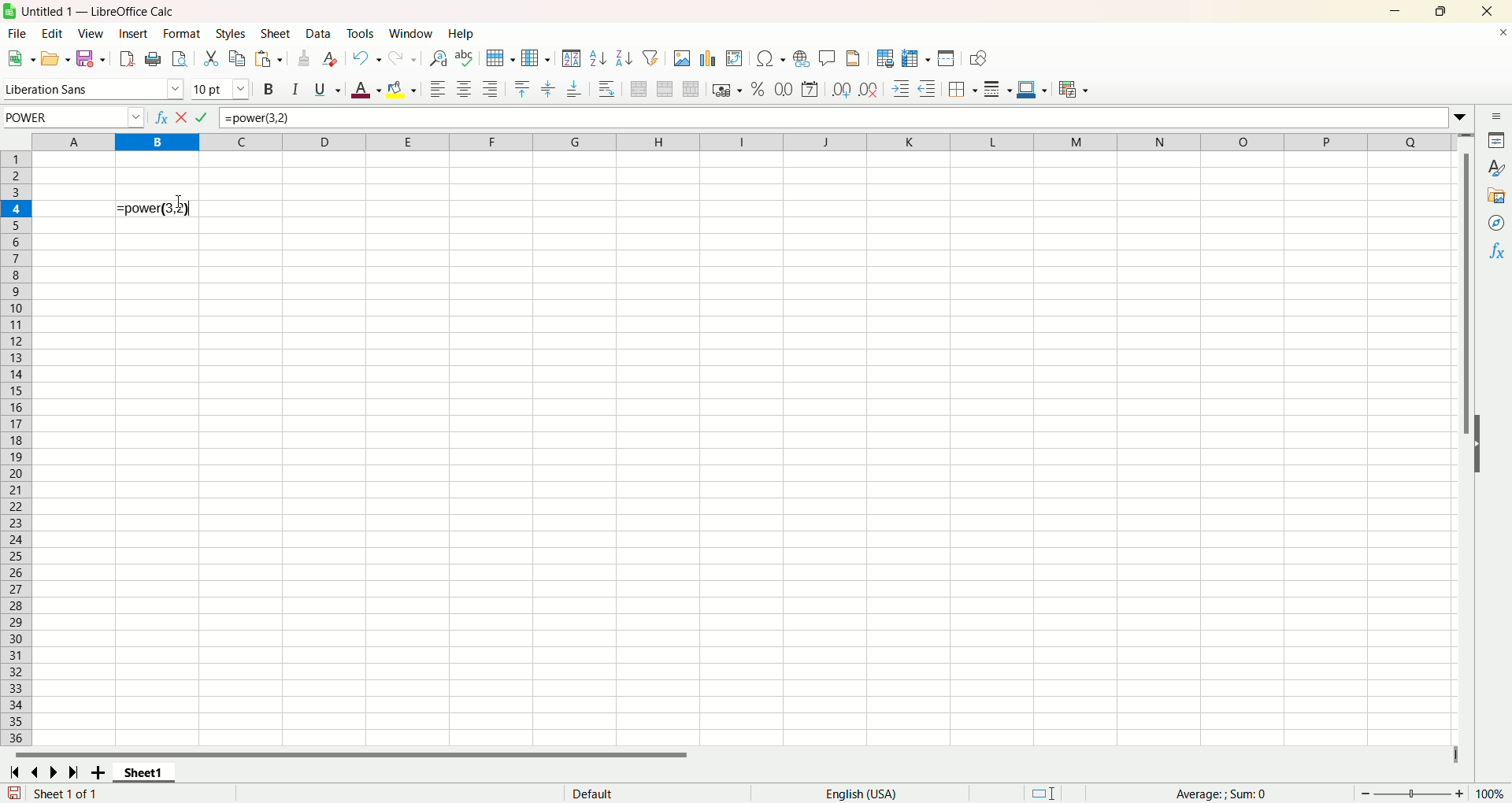  I want to click on sort, so click(571, 58).